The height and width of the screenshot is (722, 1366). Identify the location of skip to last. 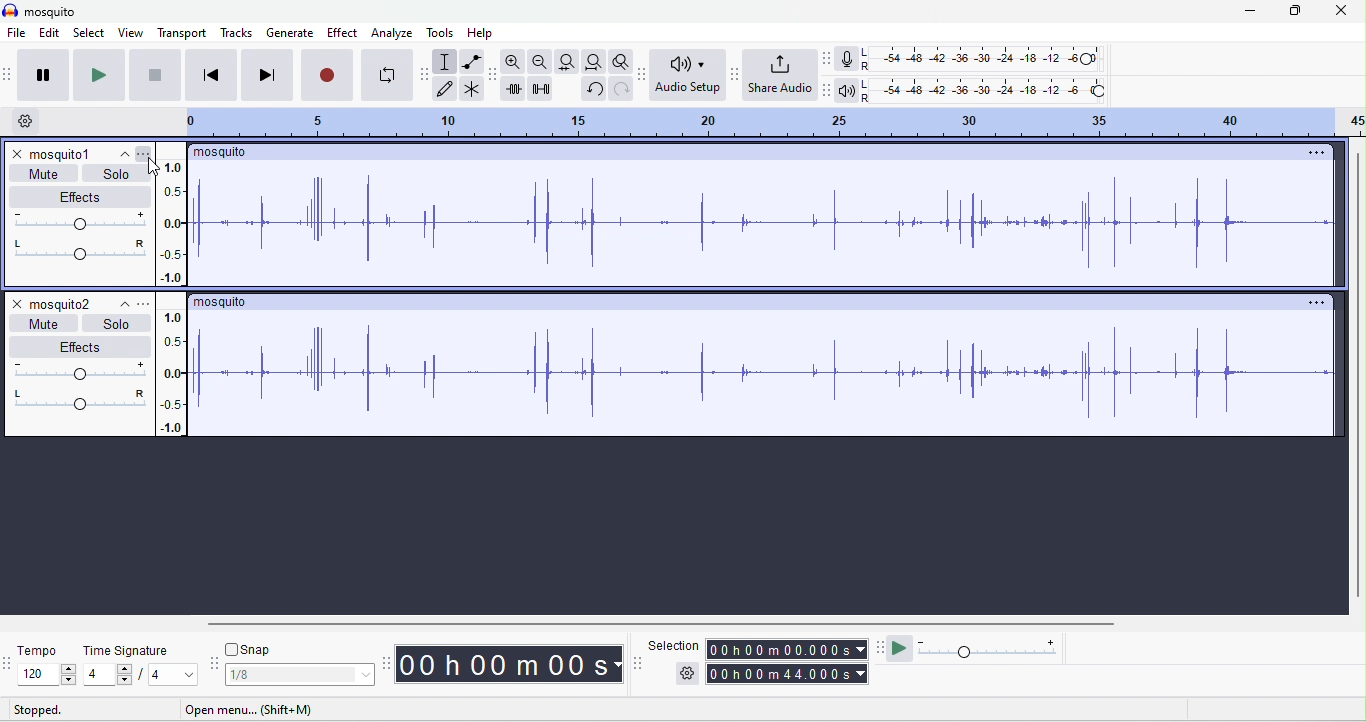
(268, 74).